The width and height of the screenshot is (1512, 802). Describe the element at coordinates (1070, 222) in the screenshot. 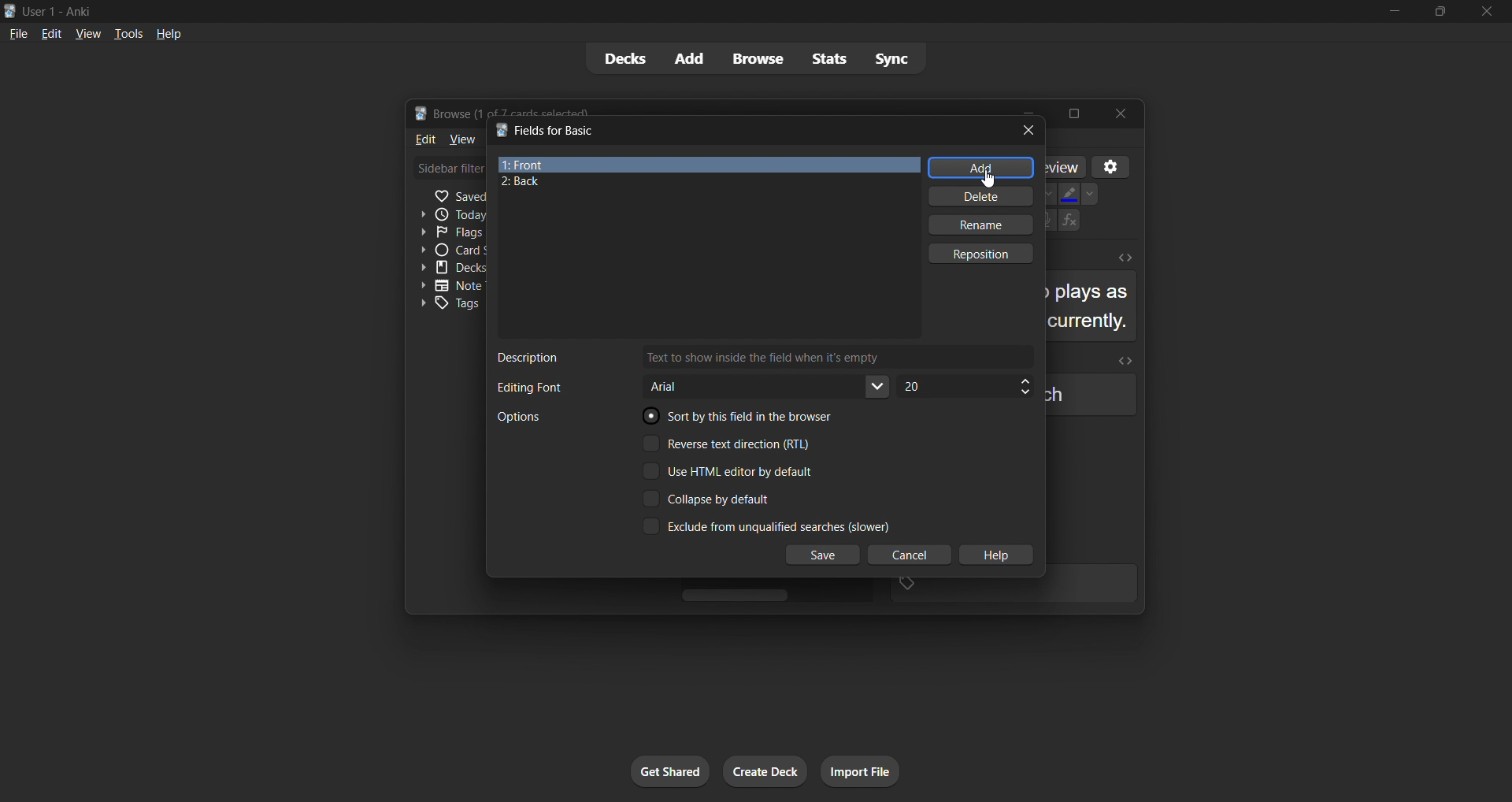

I see `Functions` at that location.